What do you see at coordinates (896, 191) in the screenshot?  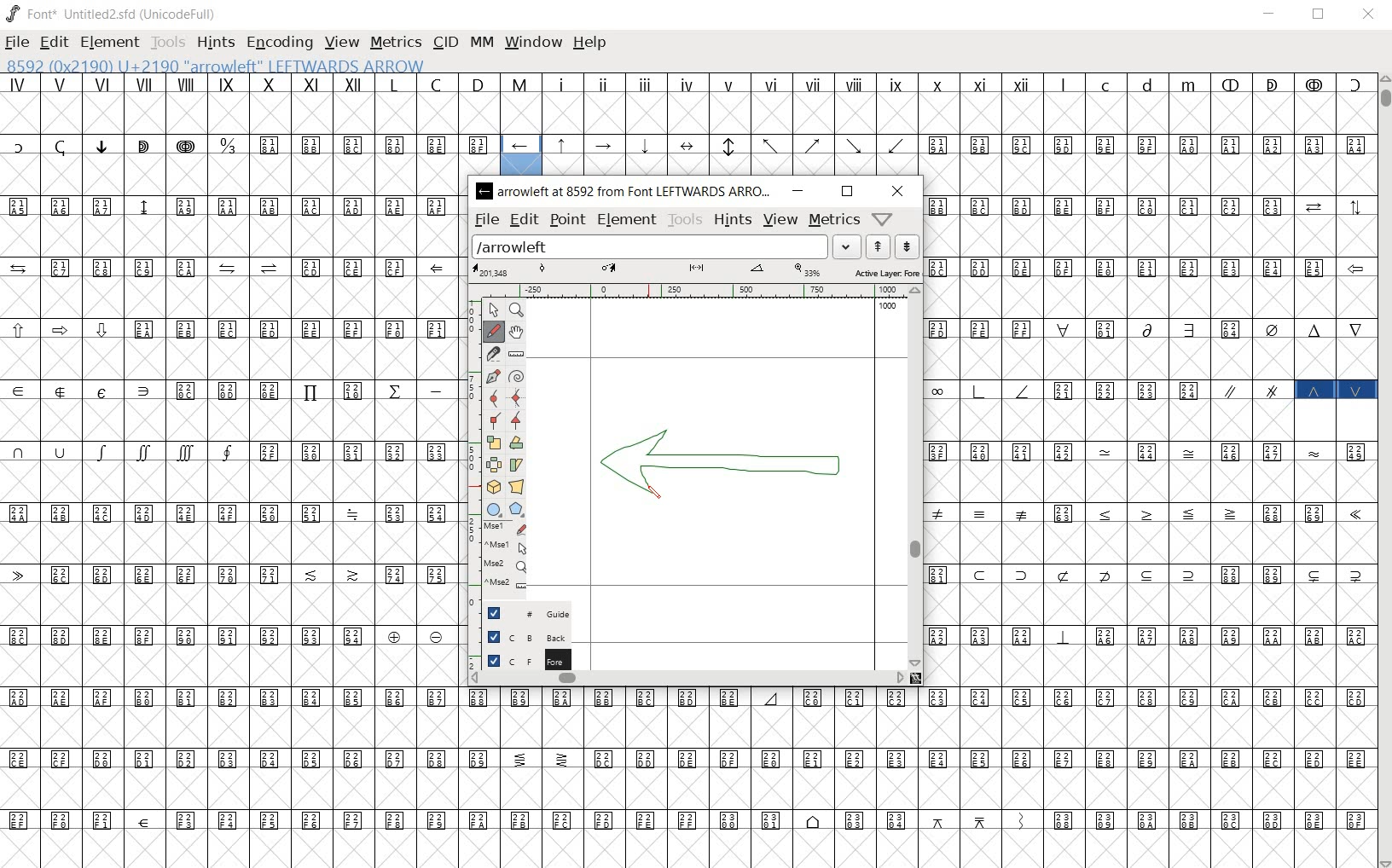 I see `close` at bounding box center [896, 191].